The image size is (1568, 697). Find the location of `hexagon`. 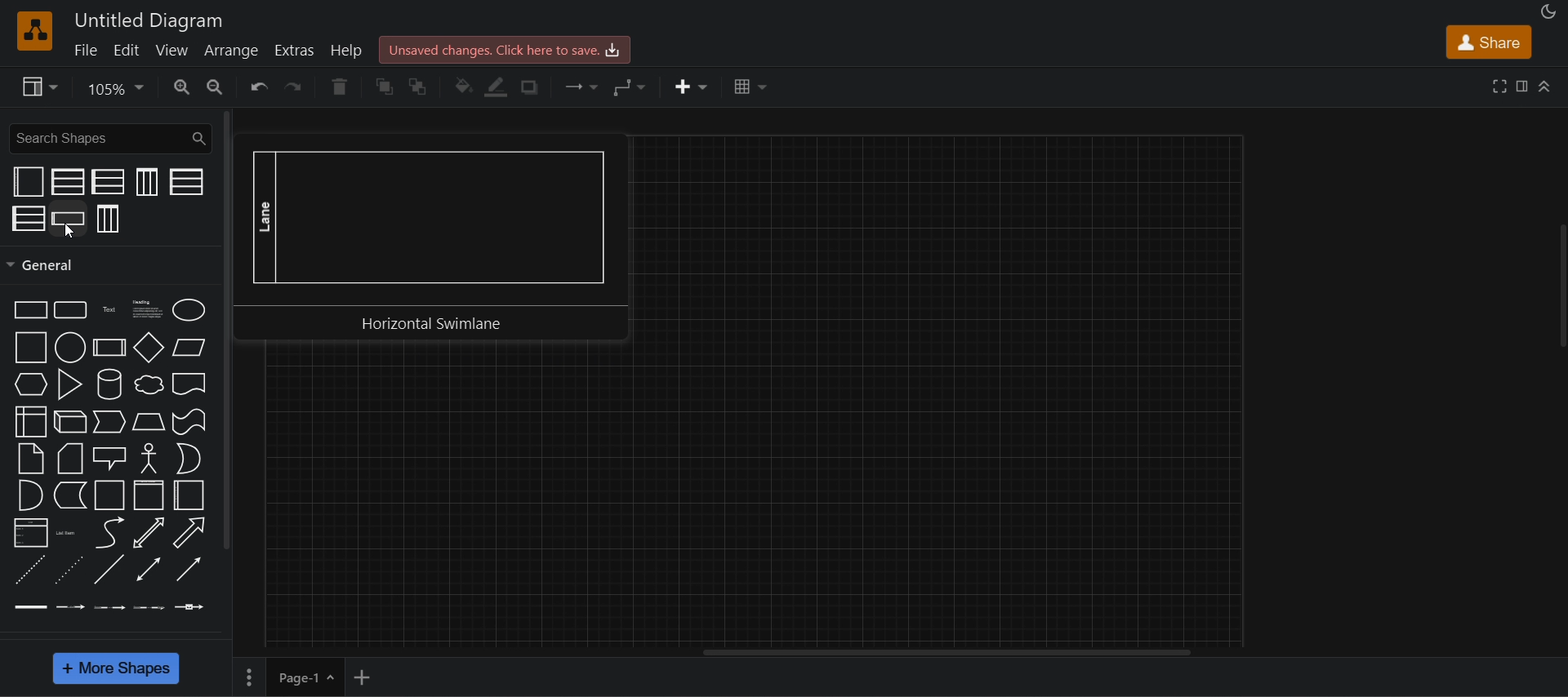

hexagon is located at coordinates (31, 384).